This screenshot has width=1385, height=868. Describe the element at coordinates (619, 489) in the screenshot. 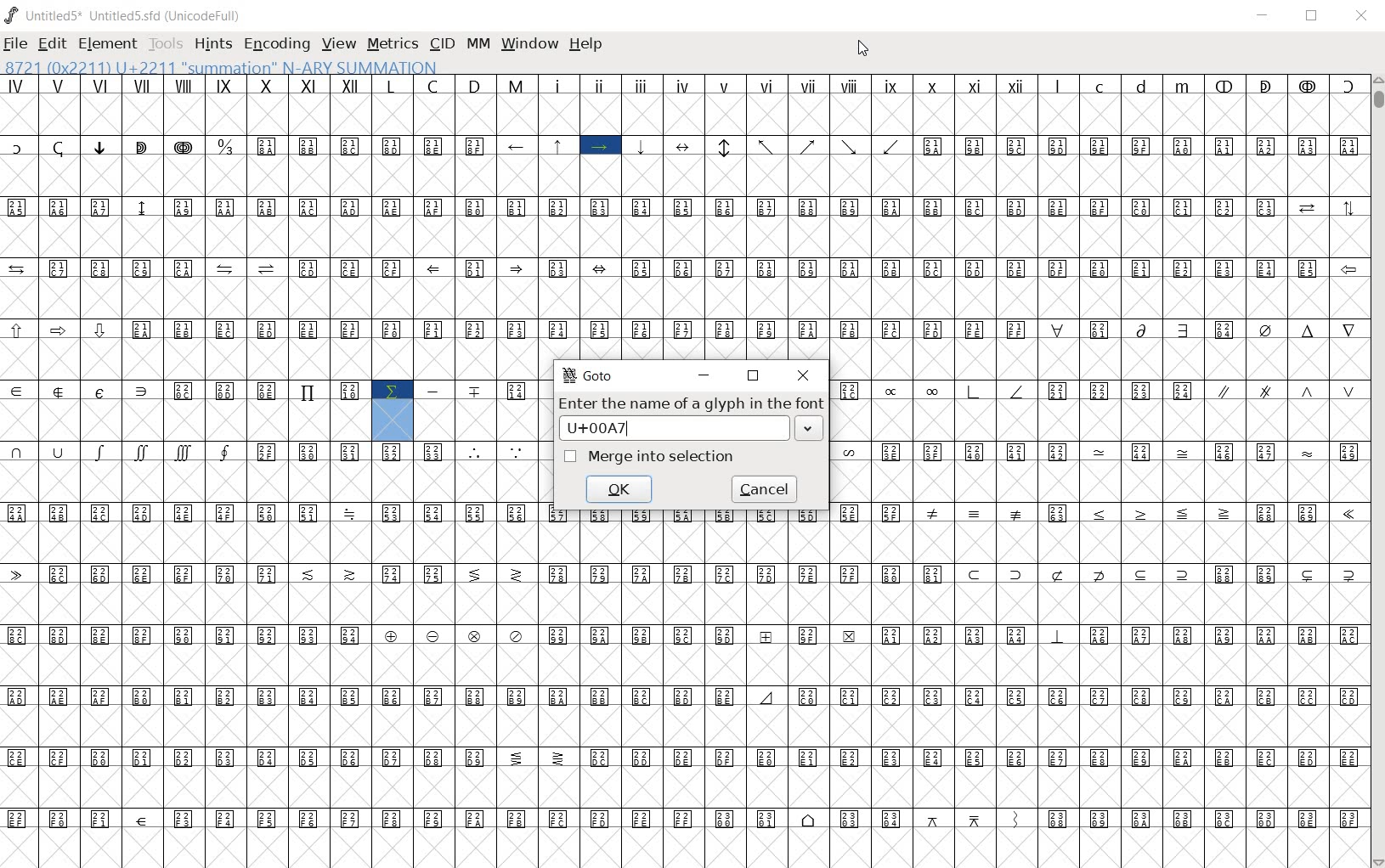

I see `ok` at that location.